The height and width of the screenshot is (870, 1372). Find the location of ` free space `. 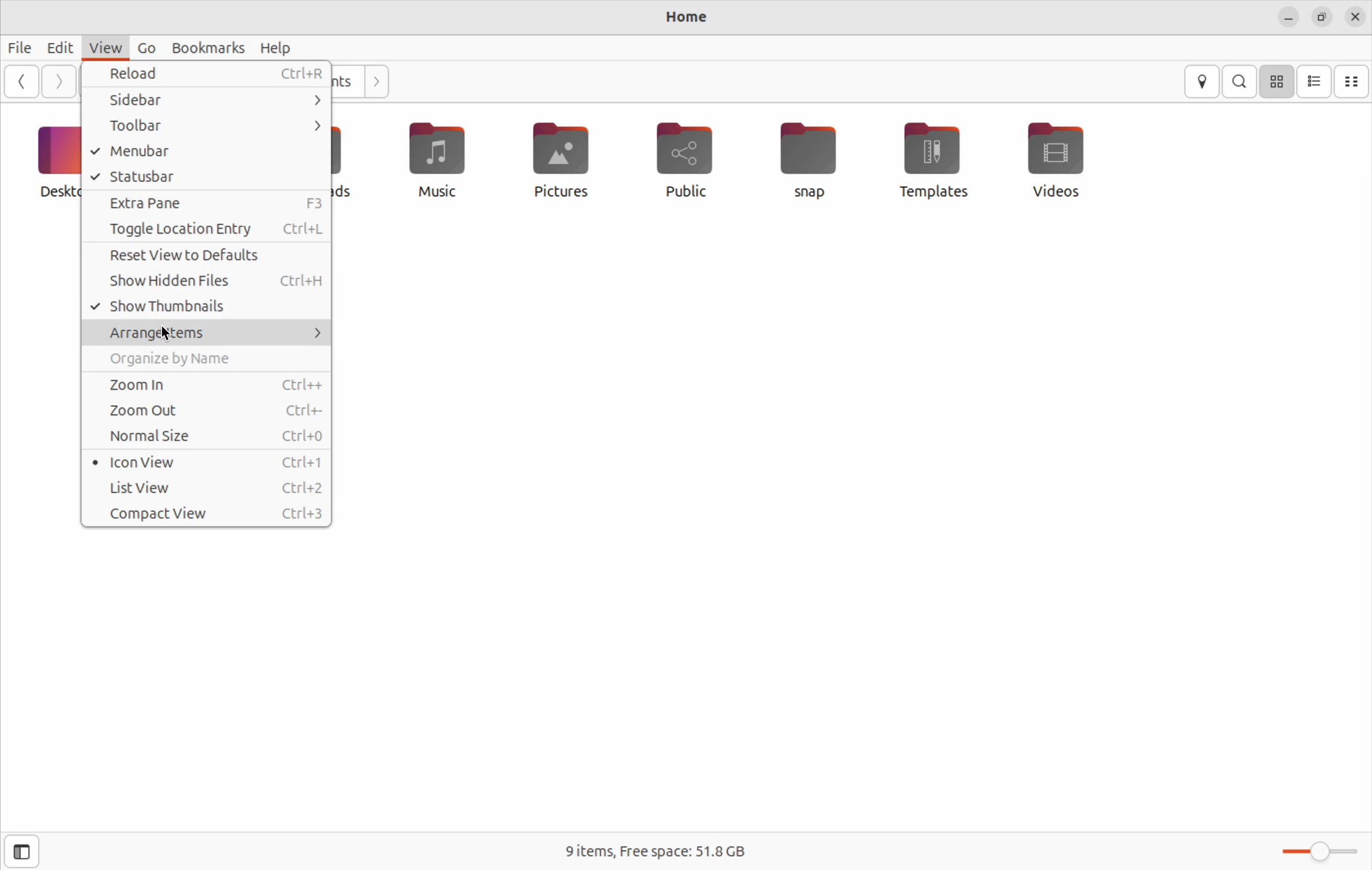

 free space  is located at coordinates (656, 850).